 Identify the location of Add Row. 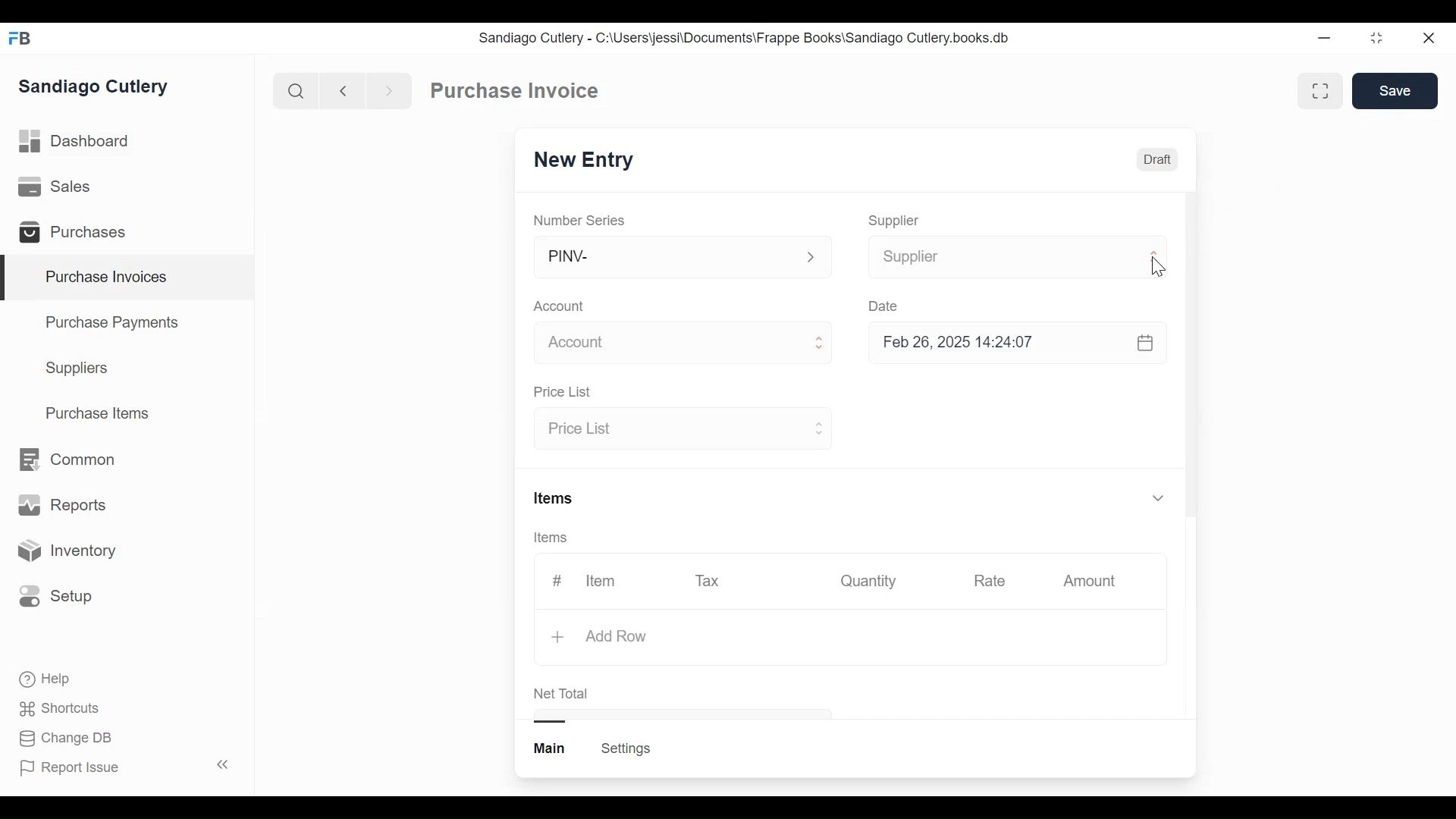
(617, 635).